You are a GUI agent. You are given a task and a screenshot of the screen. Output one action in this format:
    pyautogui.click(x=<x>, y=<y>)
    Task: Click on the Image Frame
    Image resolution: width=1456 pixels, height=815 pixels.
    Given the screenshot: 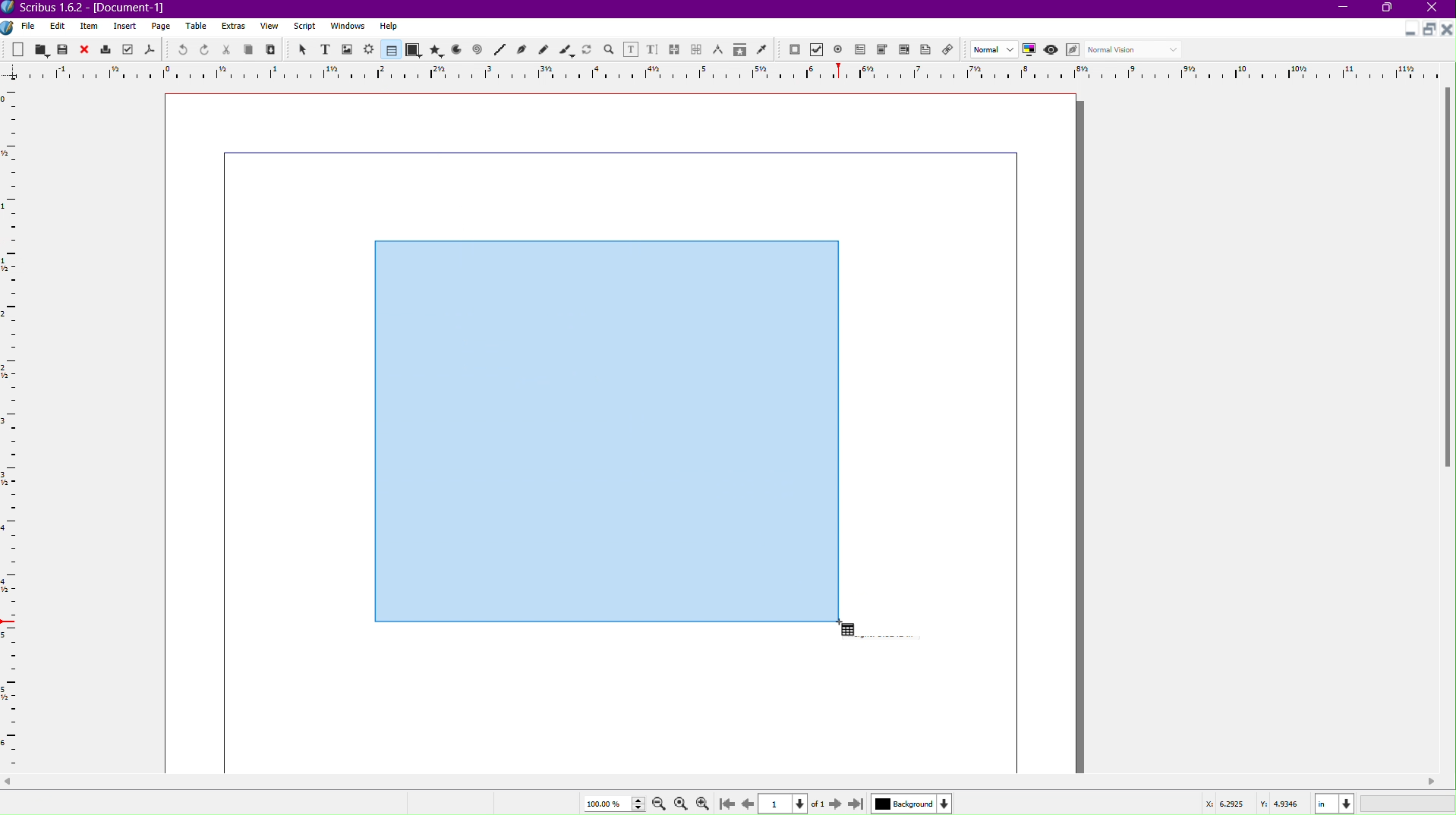 What is the action you would take?
    pyautogui.click(x=348, y=49)
    